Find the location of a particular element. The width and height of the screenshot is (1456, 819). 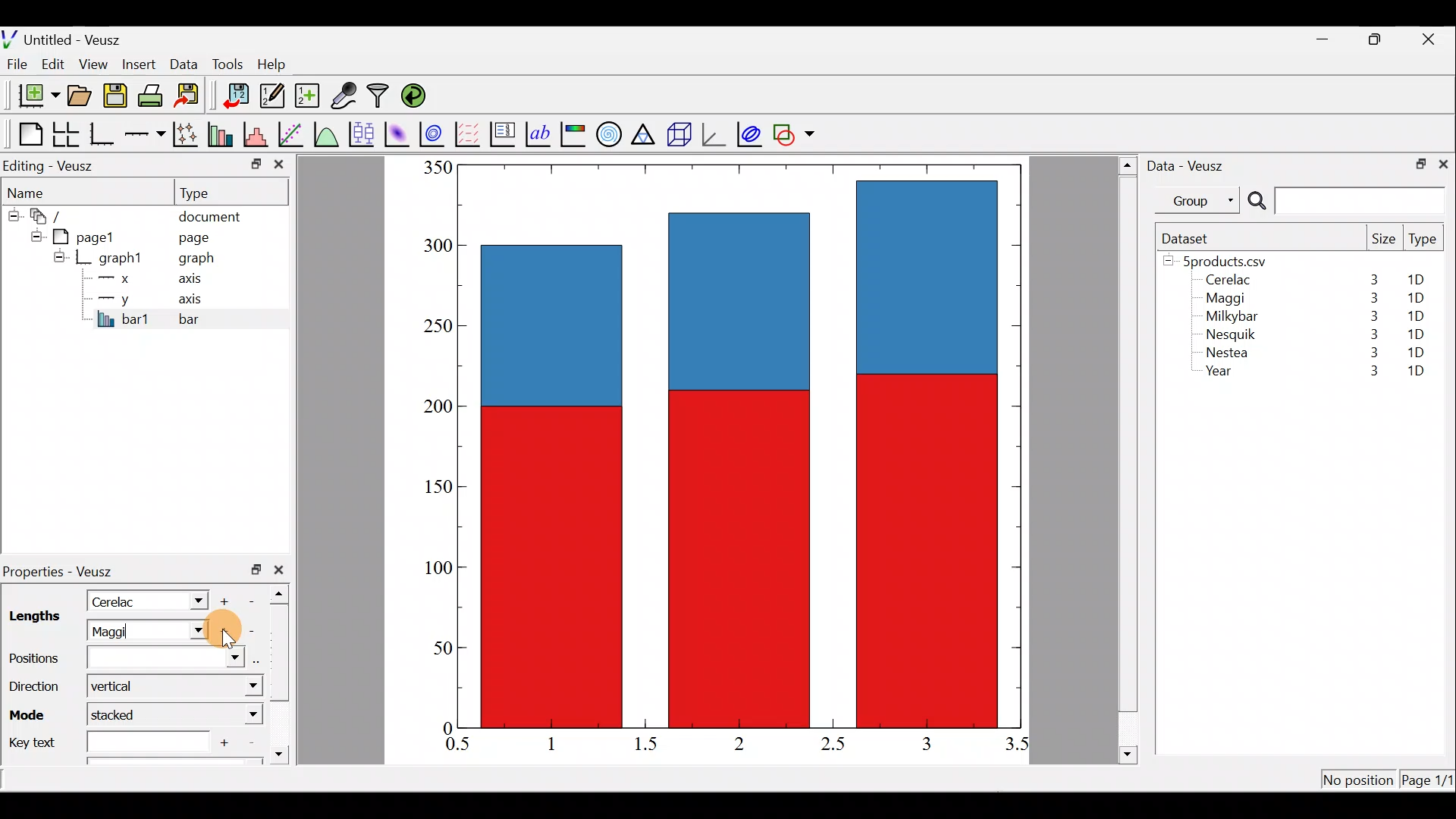

1D is located at coordinates (1416, 352).